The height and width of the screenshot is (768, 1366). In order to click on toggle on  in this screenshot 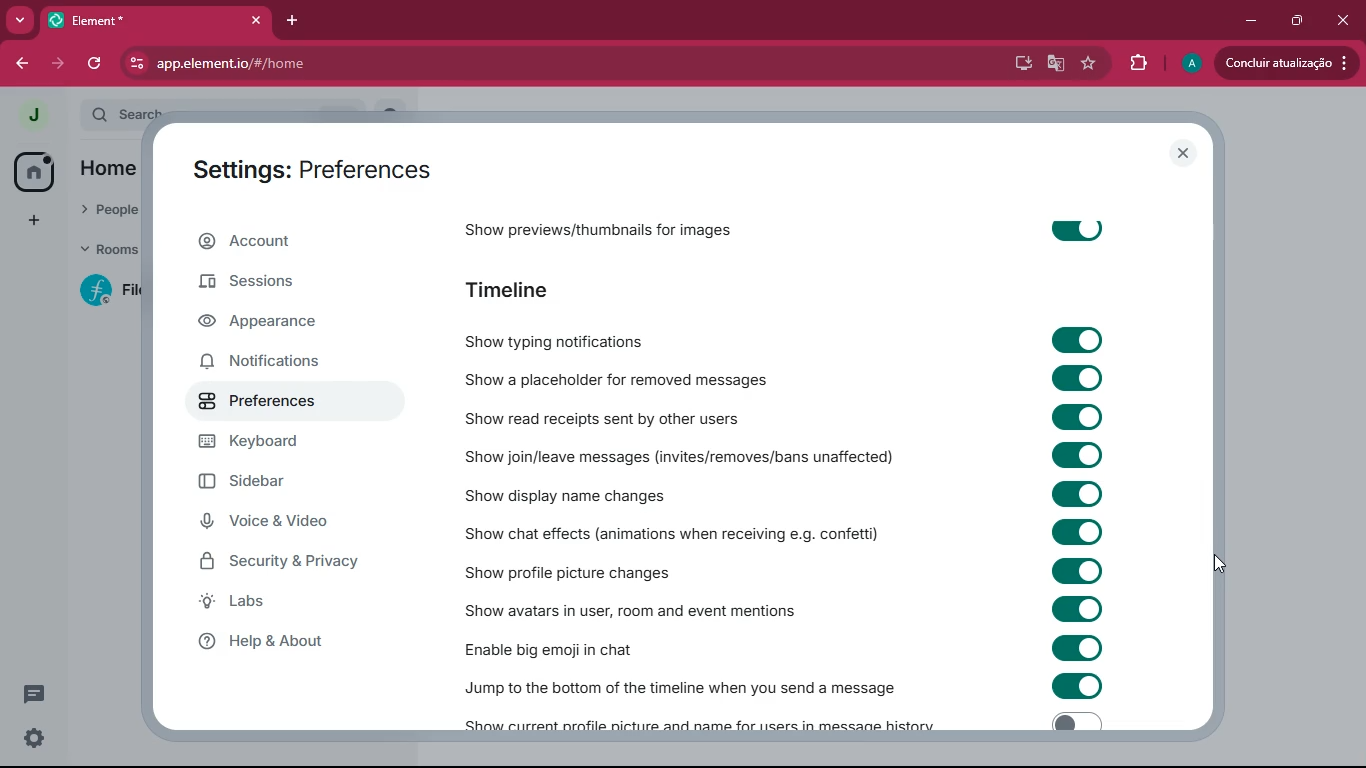, I will do `click(1077, 533)`.